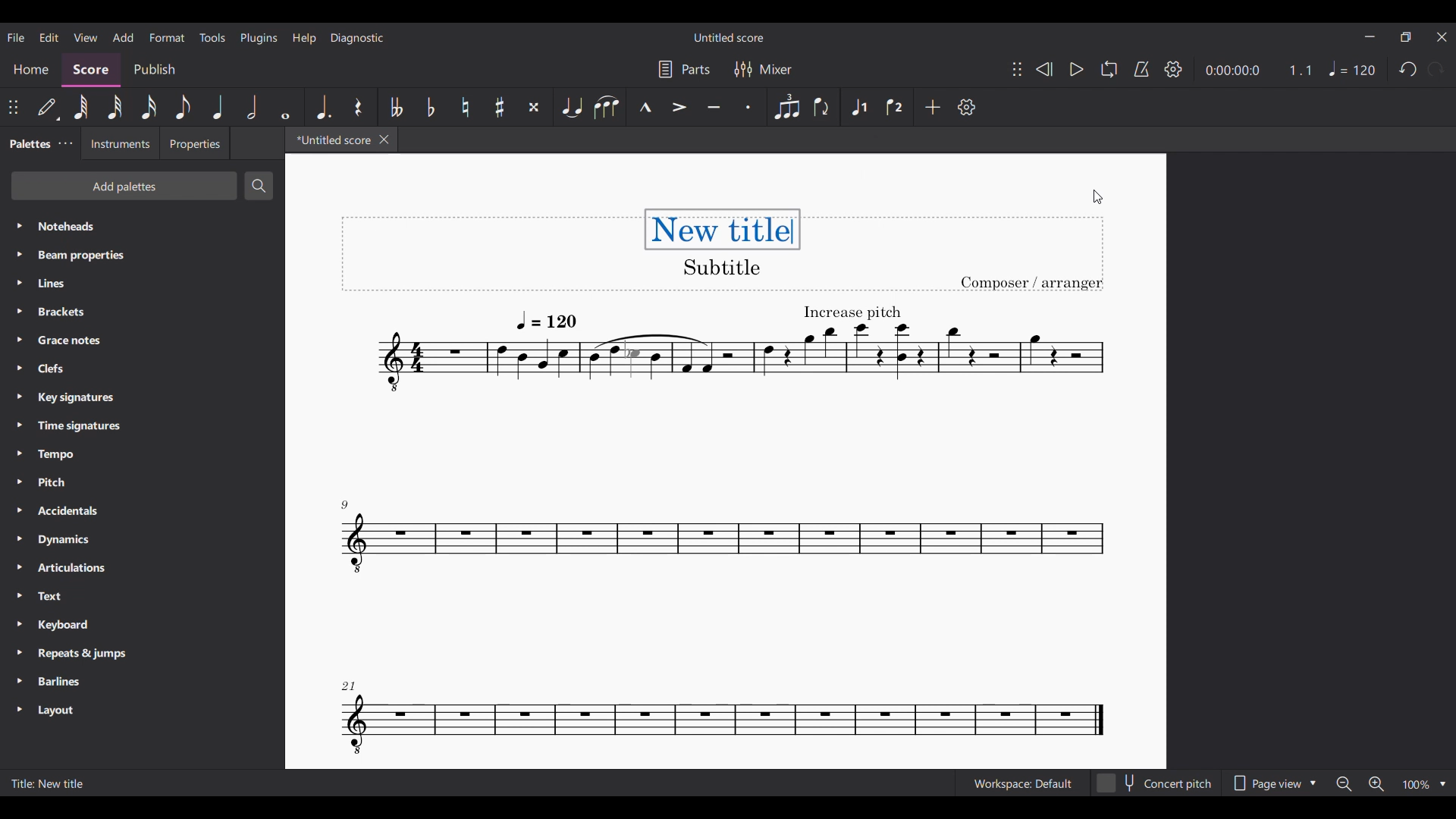 This screenshot has height=819, width=1456. I want to click on Show in smaller tab, so click(1406, 37).